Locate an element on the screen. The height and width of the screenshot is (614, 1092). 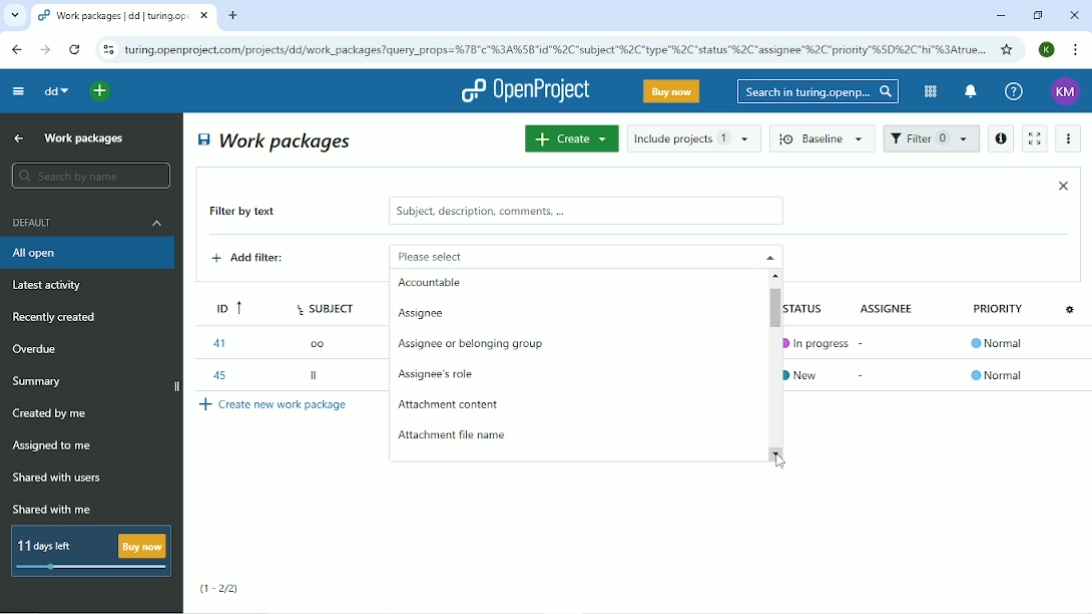
Include projects 1 is located at coordinates (694, 138).